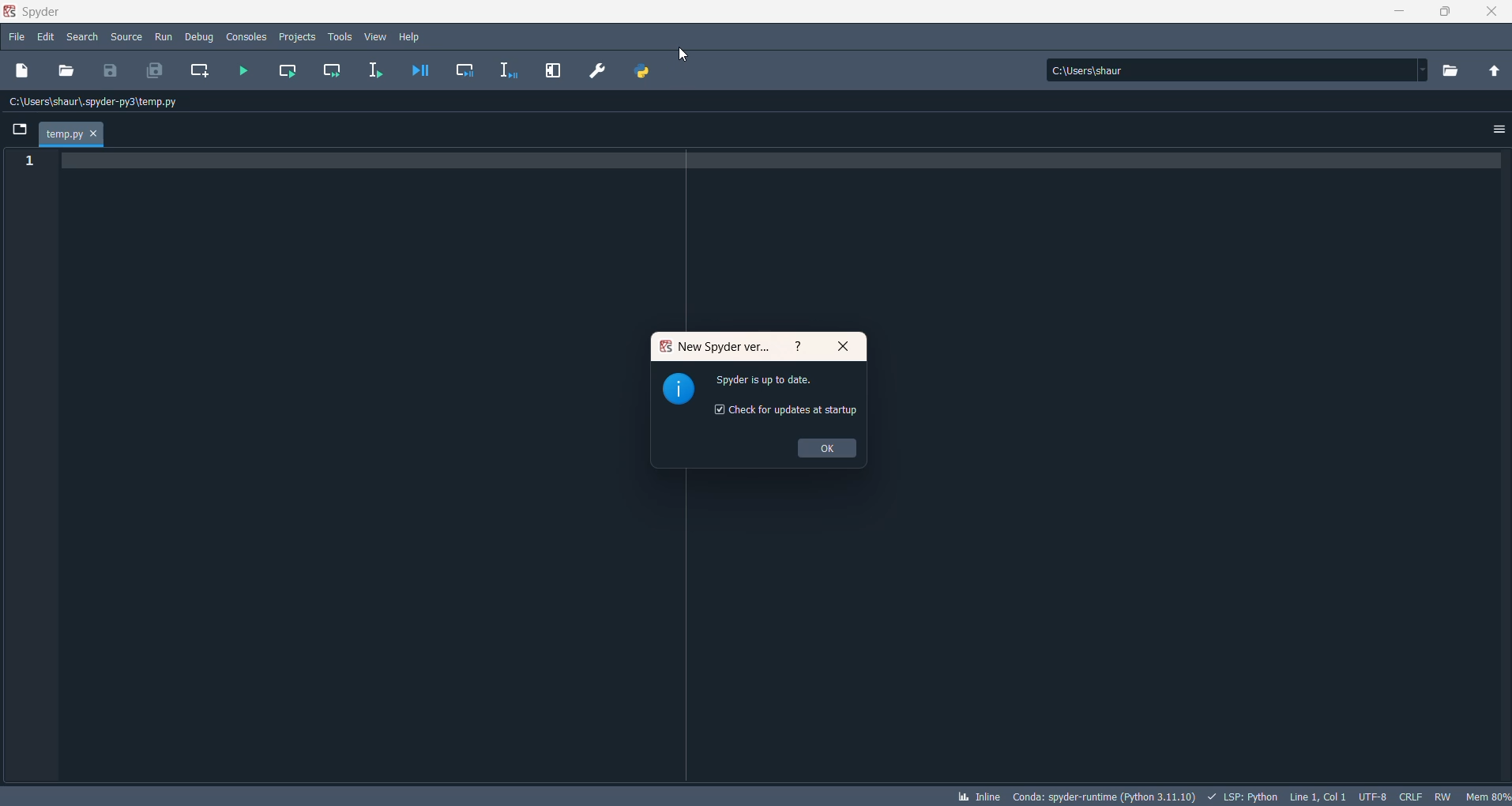 This screenshot has width=1512, height=806. I want to click on open , so click(69, 72).